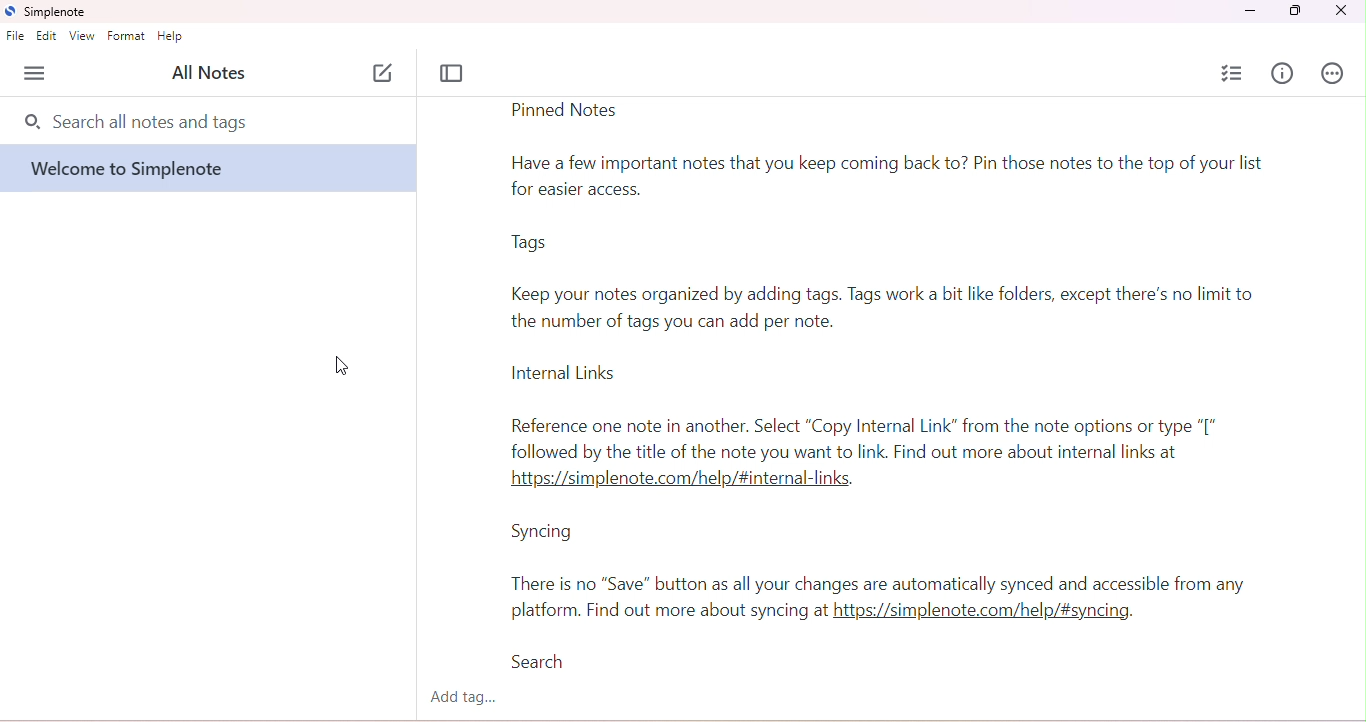 The width and height of the screenshot is (1366, 722). Describe the element at coordinates (1296, 11) in the screenshot. I see `maximize` at that location.